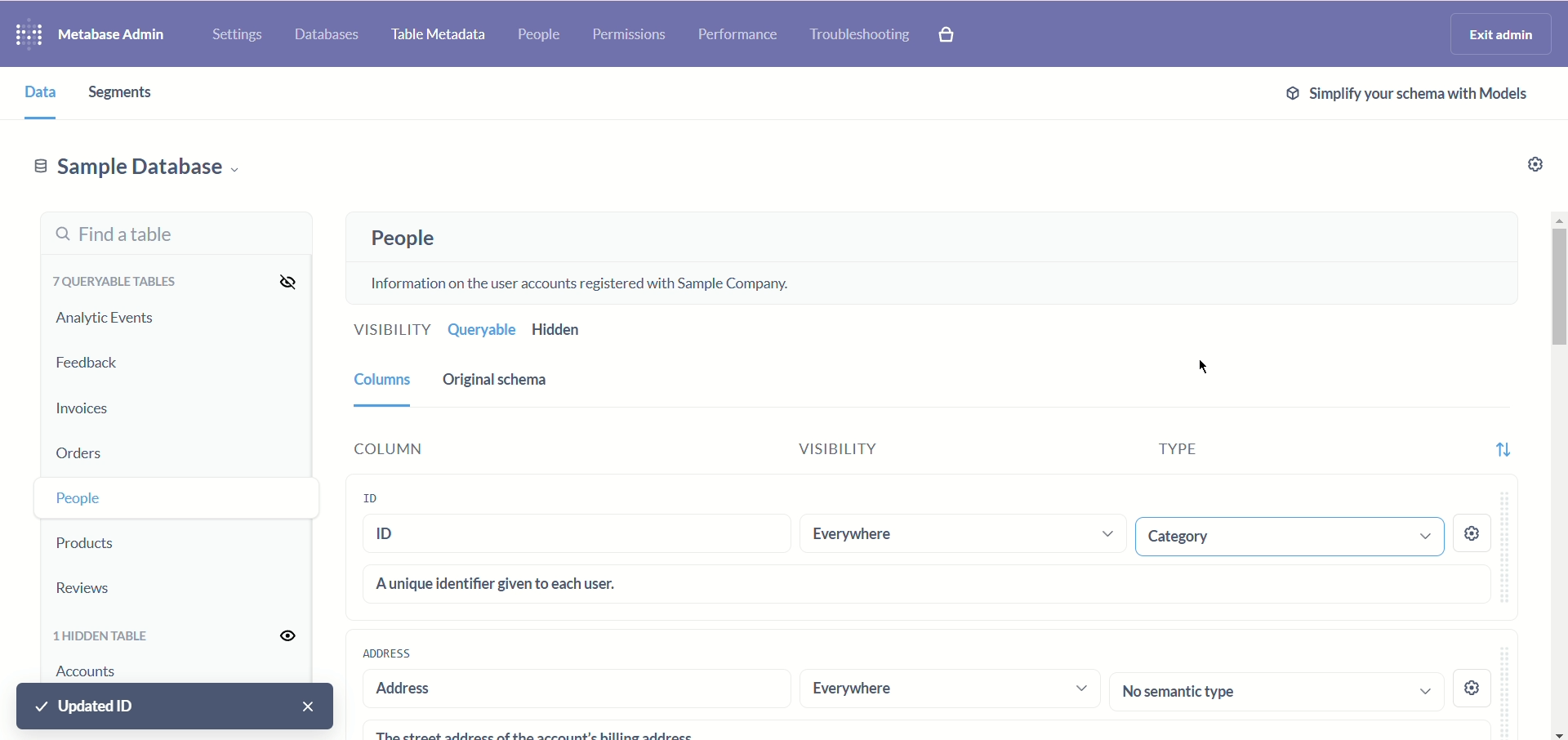 The width and height of the screenshot is (1568, 740). I want to click on No semantic type, so click(1277, 690).